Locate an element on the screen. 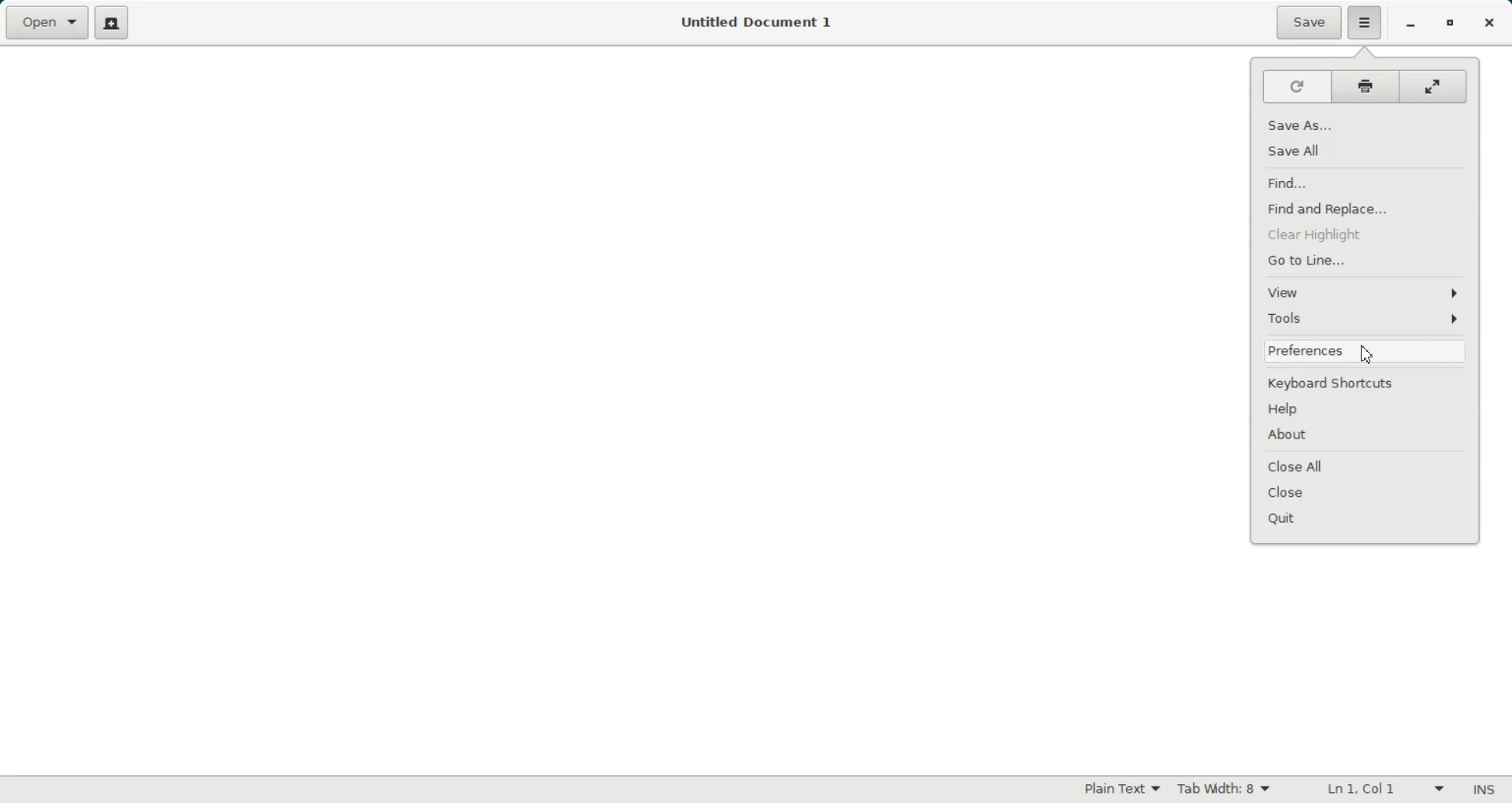 The width and height of the screenshot is (1512, 803). Save  is located at coordinates (1309, 23).